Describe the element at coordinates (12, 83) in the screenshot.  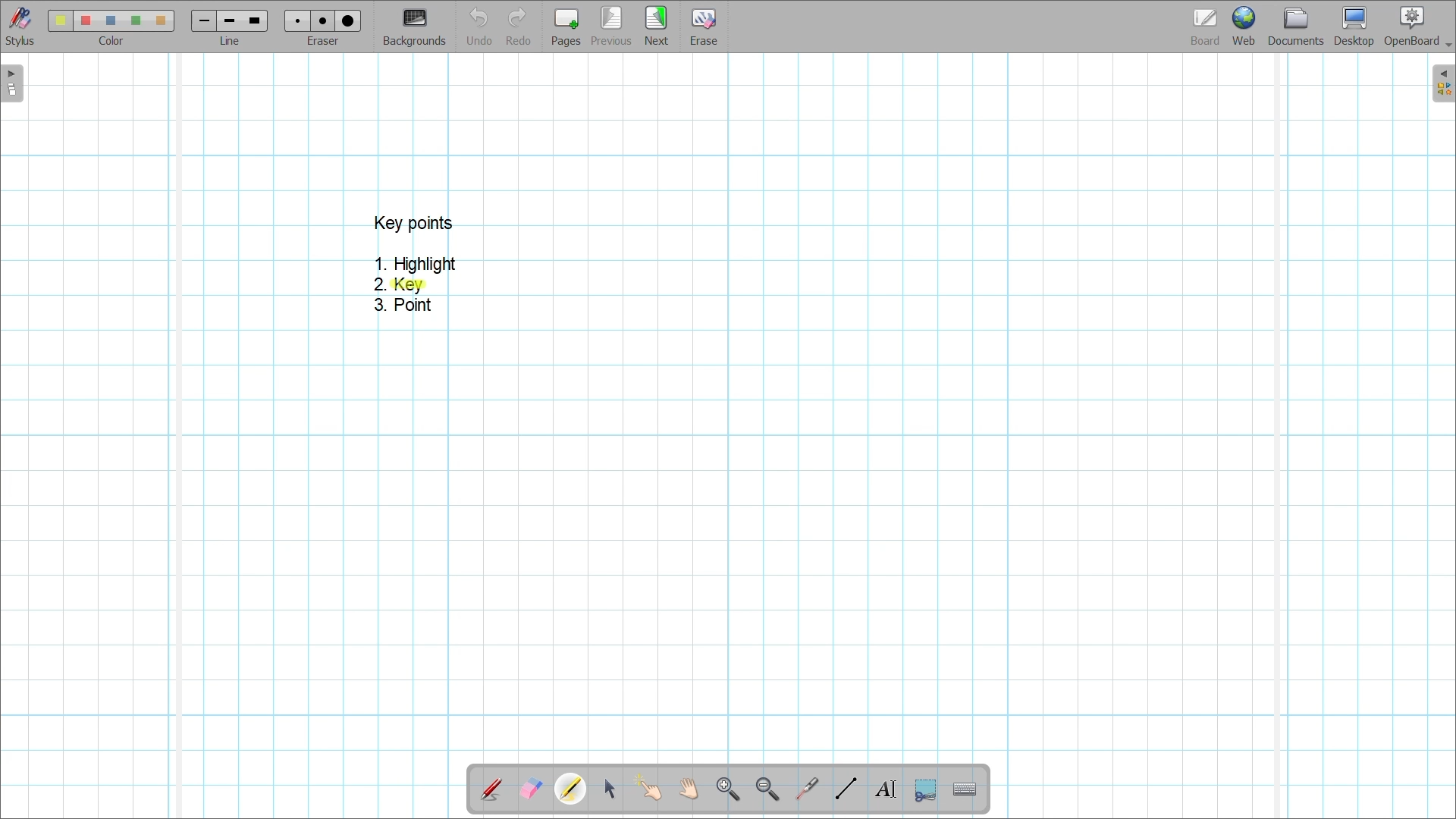
I see `Left sidebar` at that location.